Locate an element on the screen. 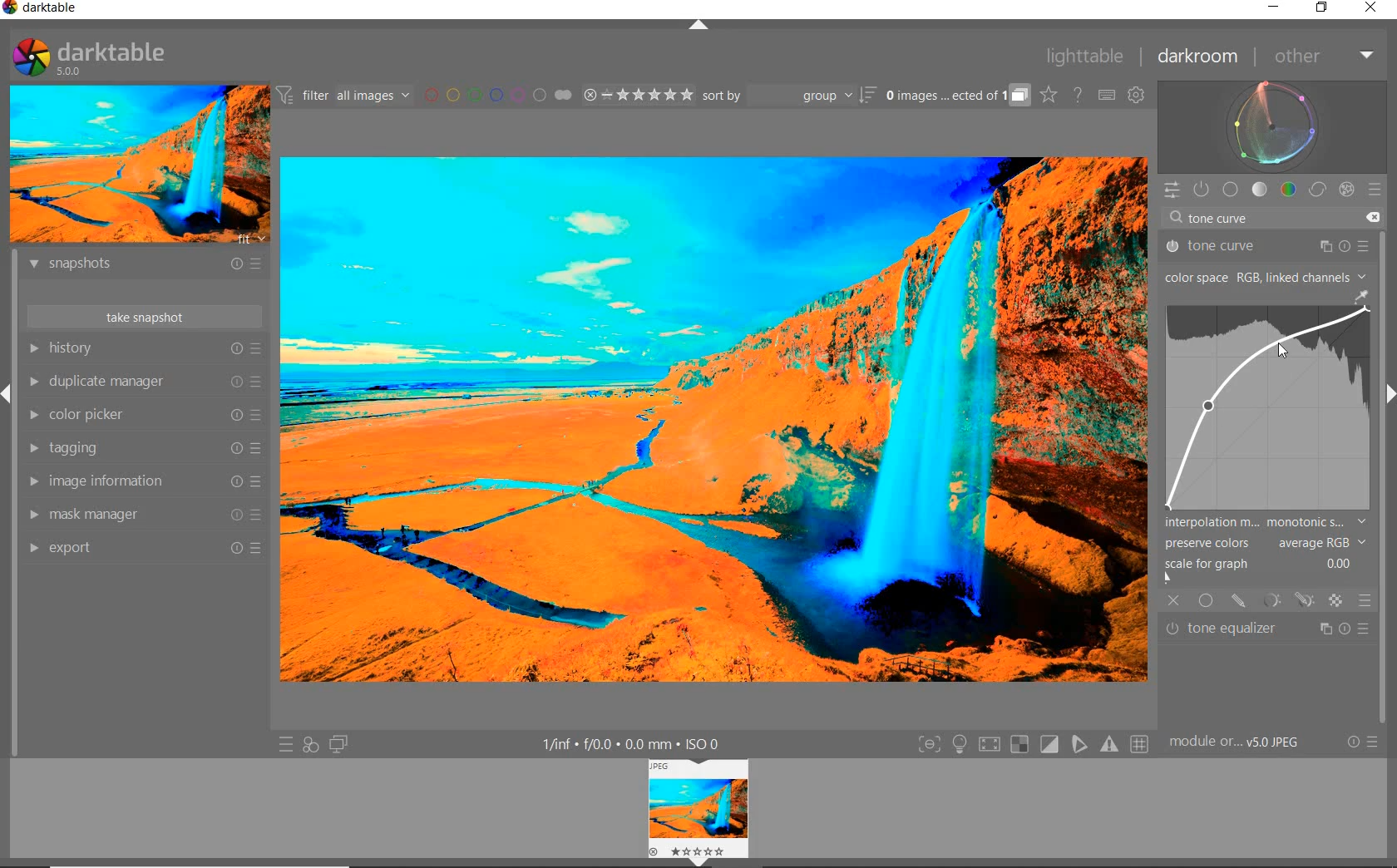  TONE CURVE is located at coordinates (1269, 400).